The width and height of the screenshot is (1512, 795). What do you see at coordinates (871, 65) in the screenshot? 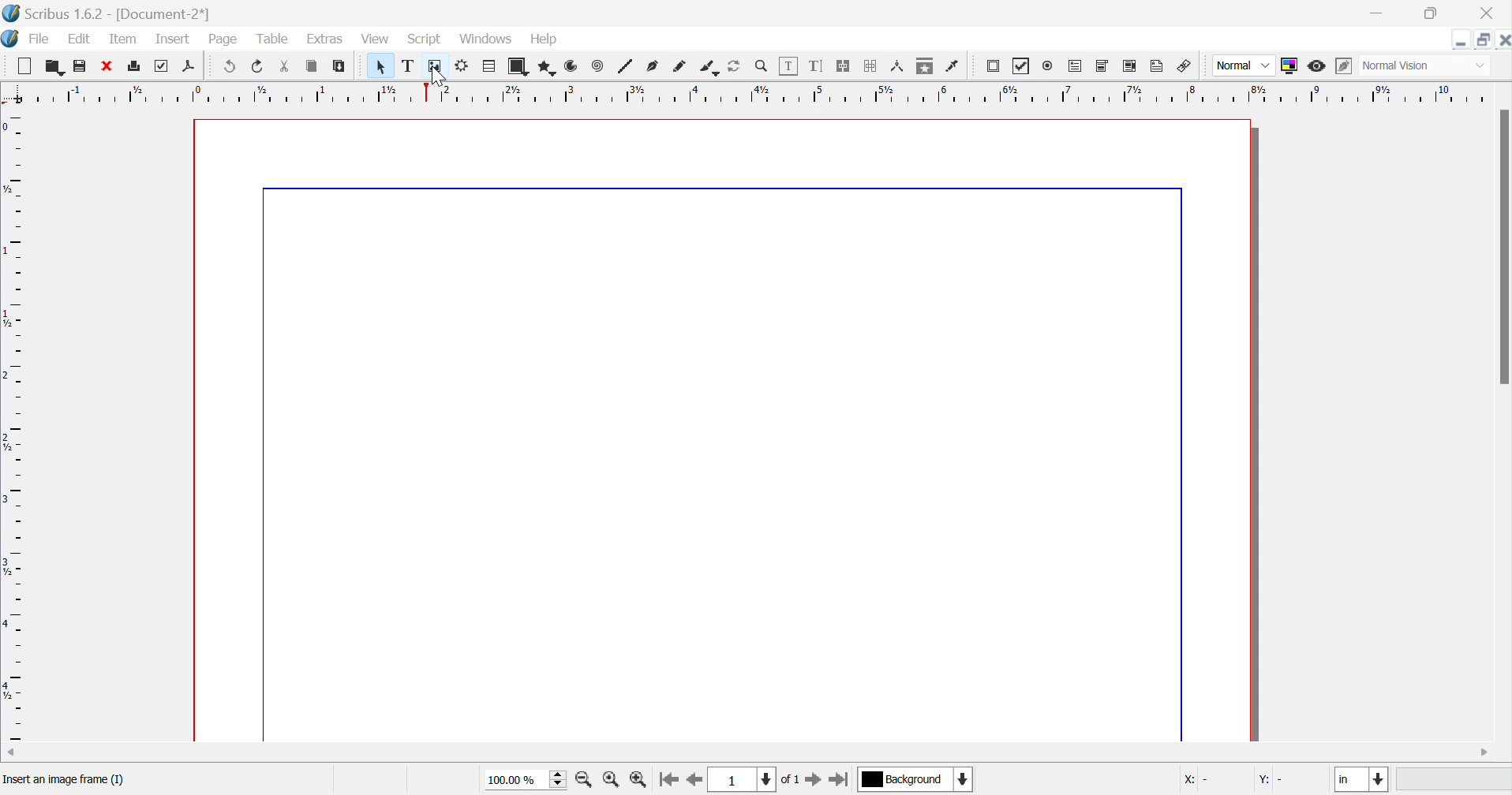
I see `unlink text frames` at bounding box center [871, 65].